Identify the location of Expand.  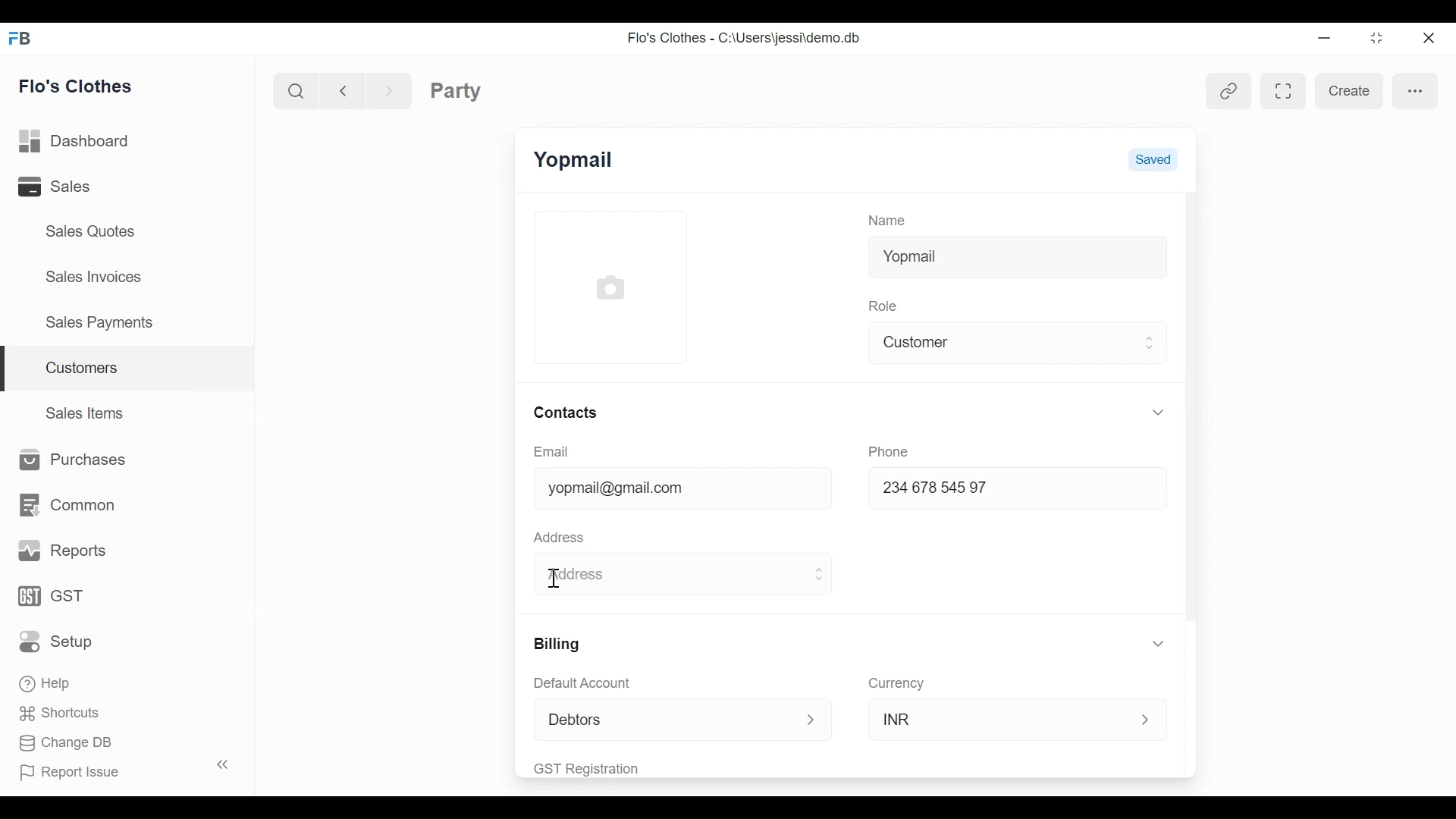
(821, 576).